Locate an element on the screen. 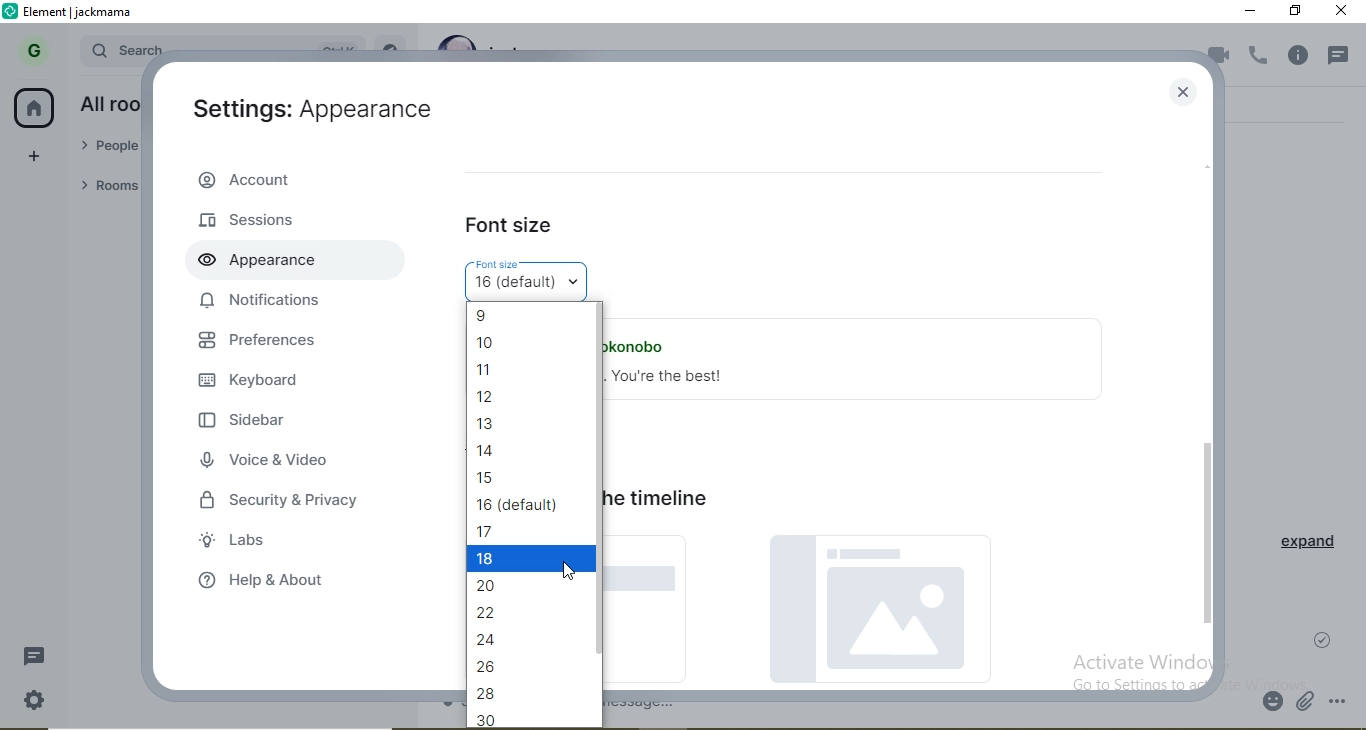  28 is located at coordinates (520, 693).